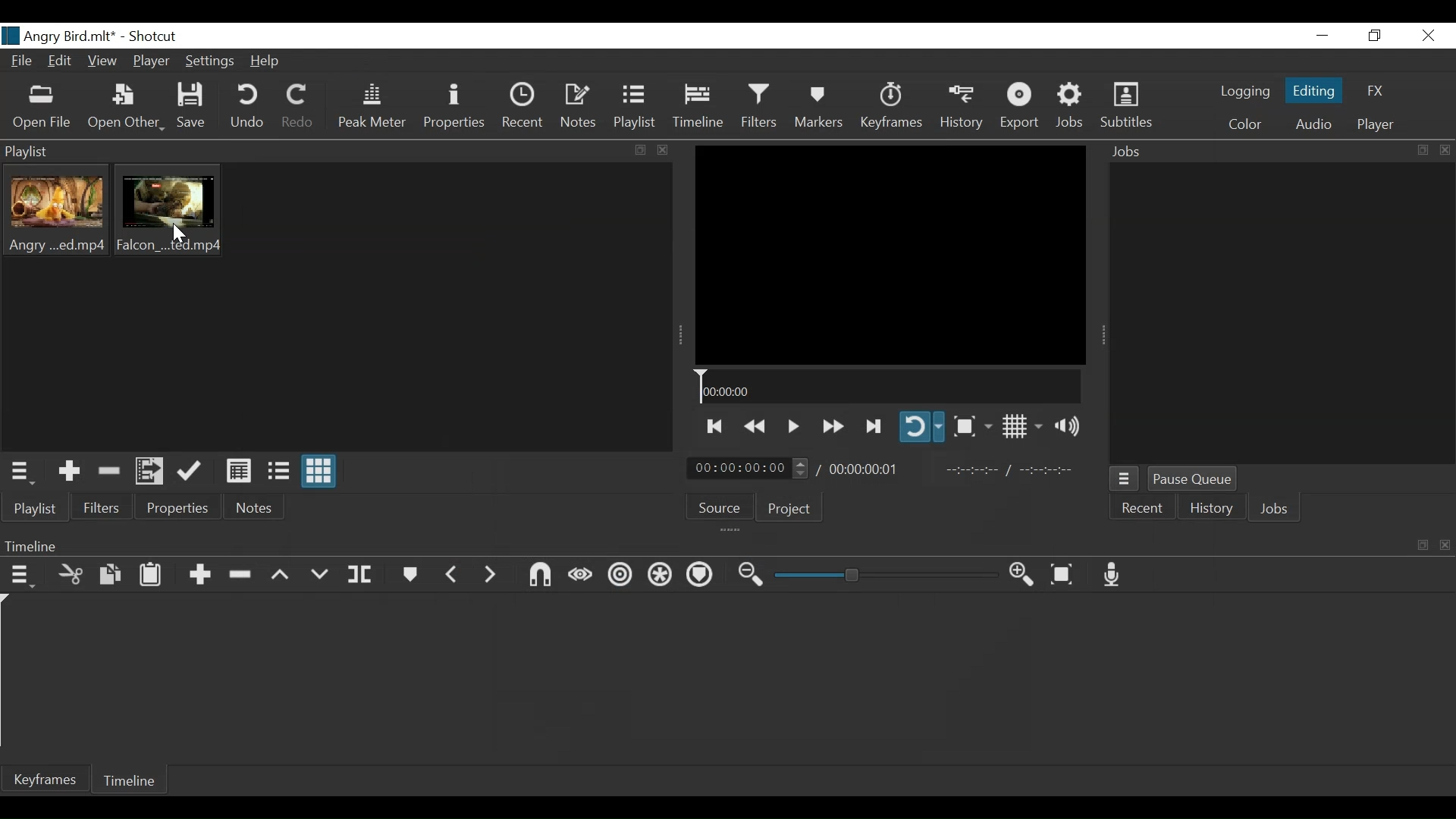 Image resolution: width=1456 pixels, height=819 pixels. What do you see at coordinates (360, 575) in the screenshot?
I see `Split at playhead` at bounding box center [360, 575].